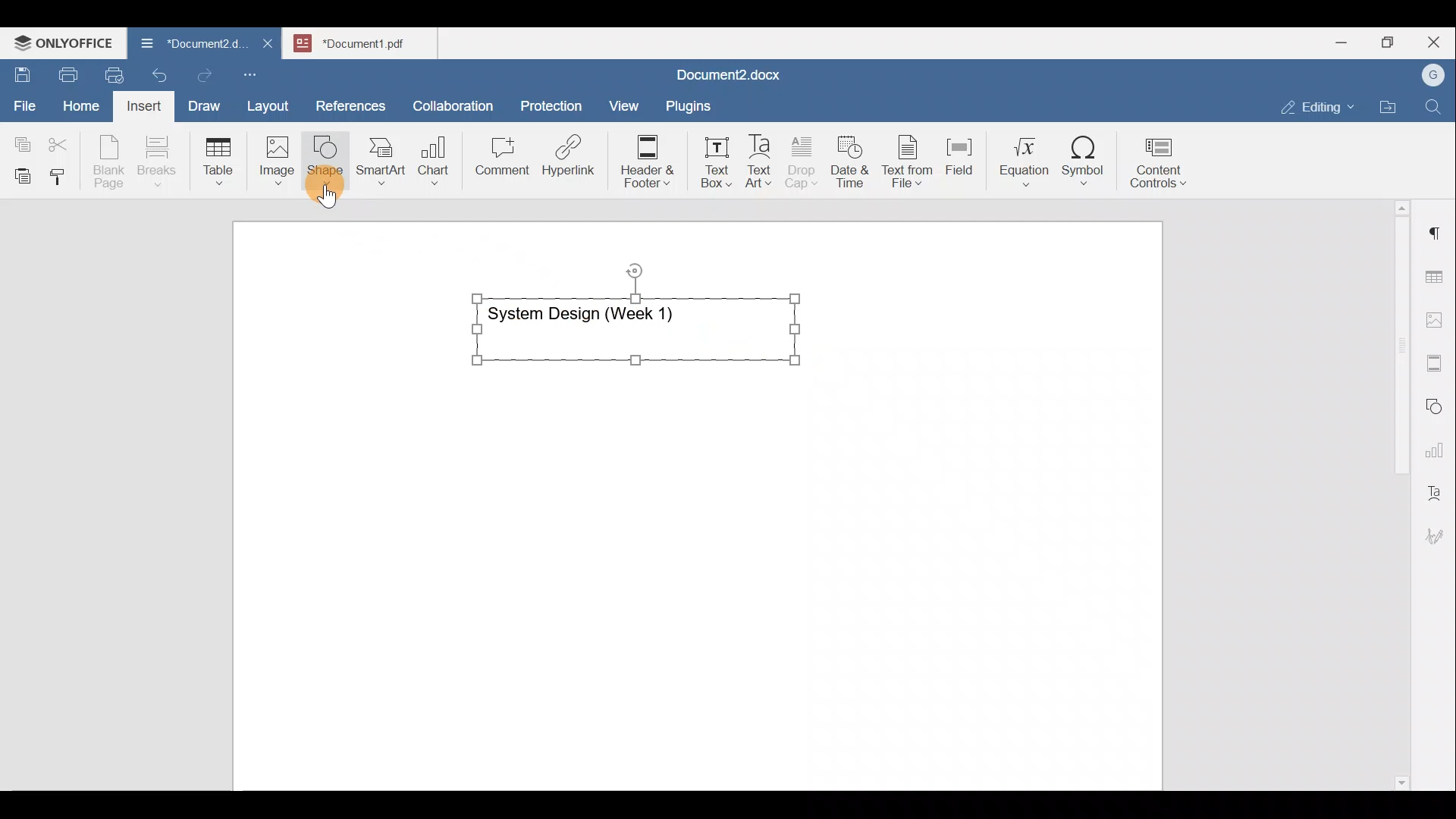 This screenshot has width=1456, height=819. Describe the element at coordinates (21, 71) in the screenshot. I see `Save` at that location.